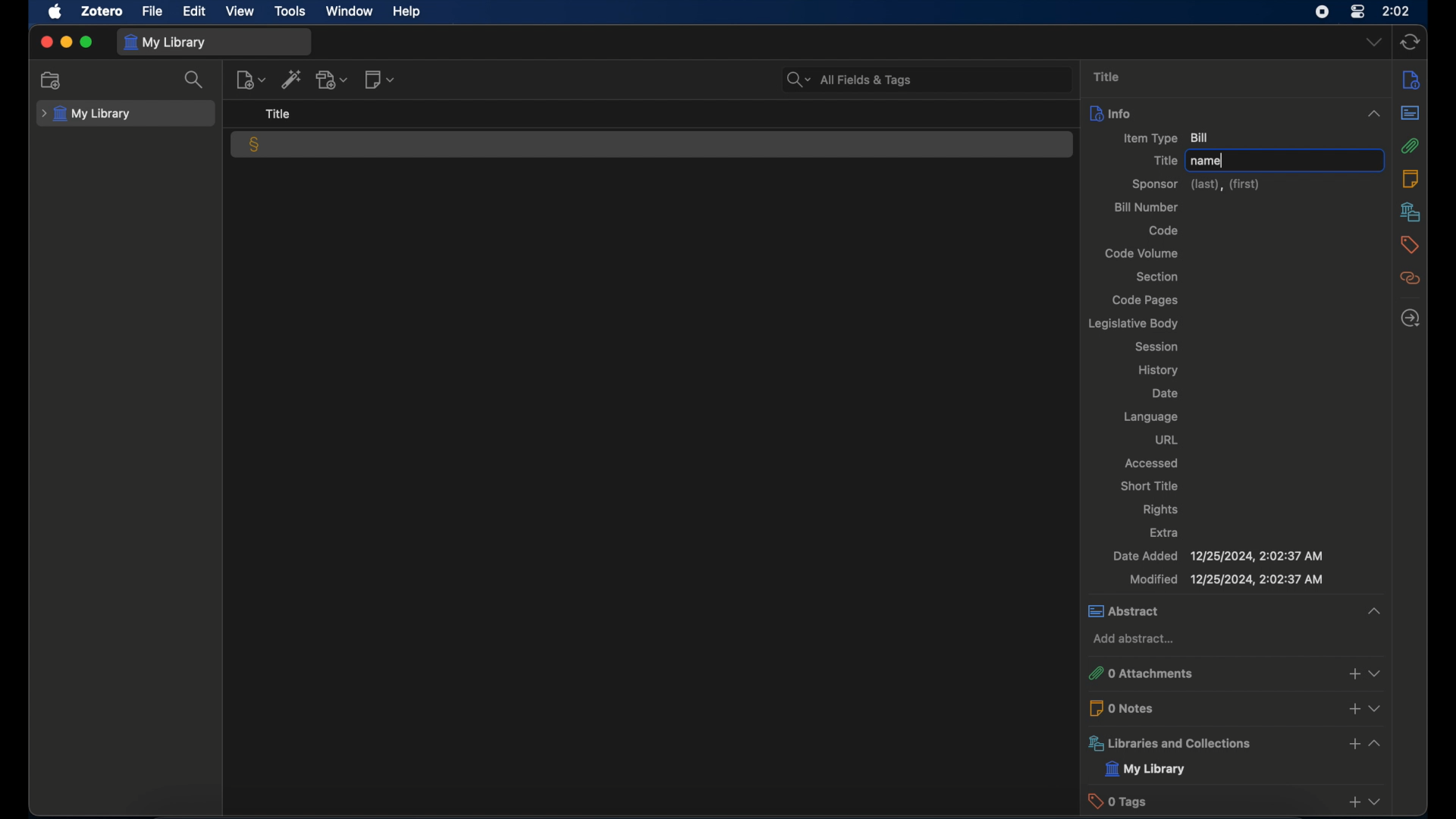  What do you see at coordinates (251, 80) in the screenshot?
I see `new notes` at bounding box center [251, 80].